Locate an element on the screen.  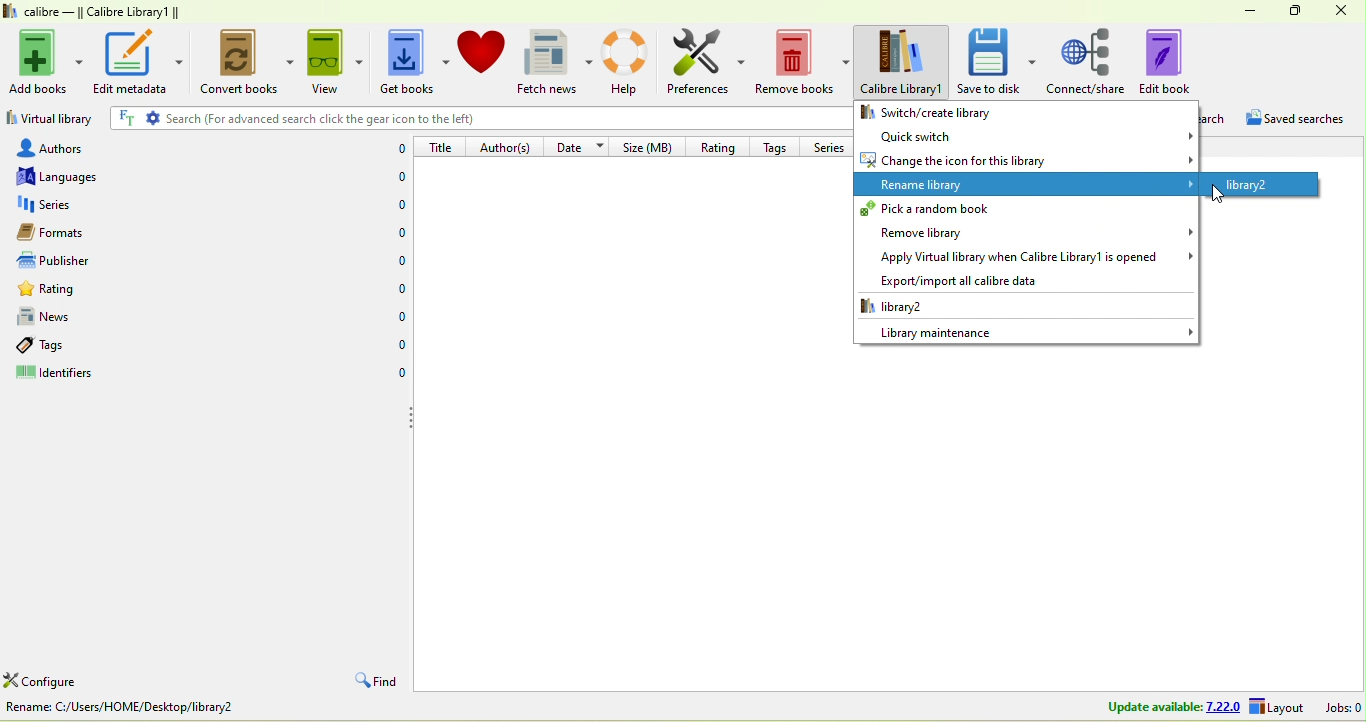
preference is located at coordinates (707, 63).